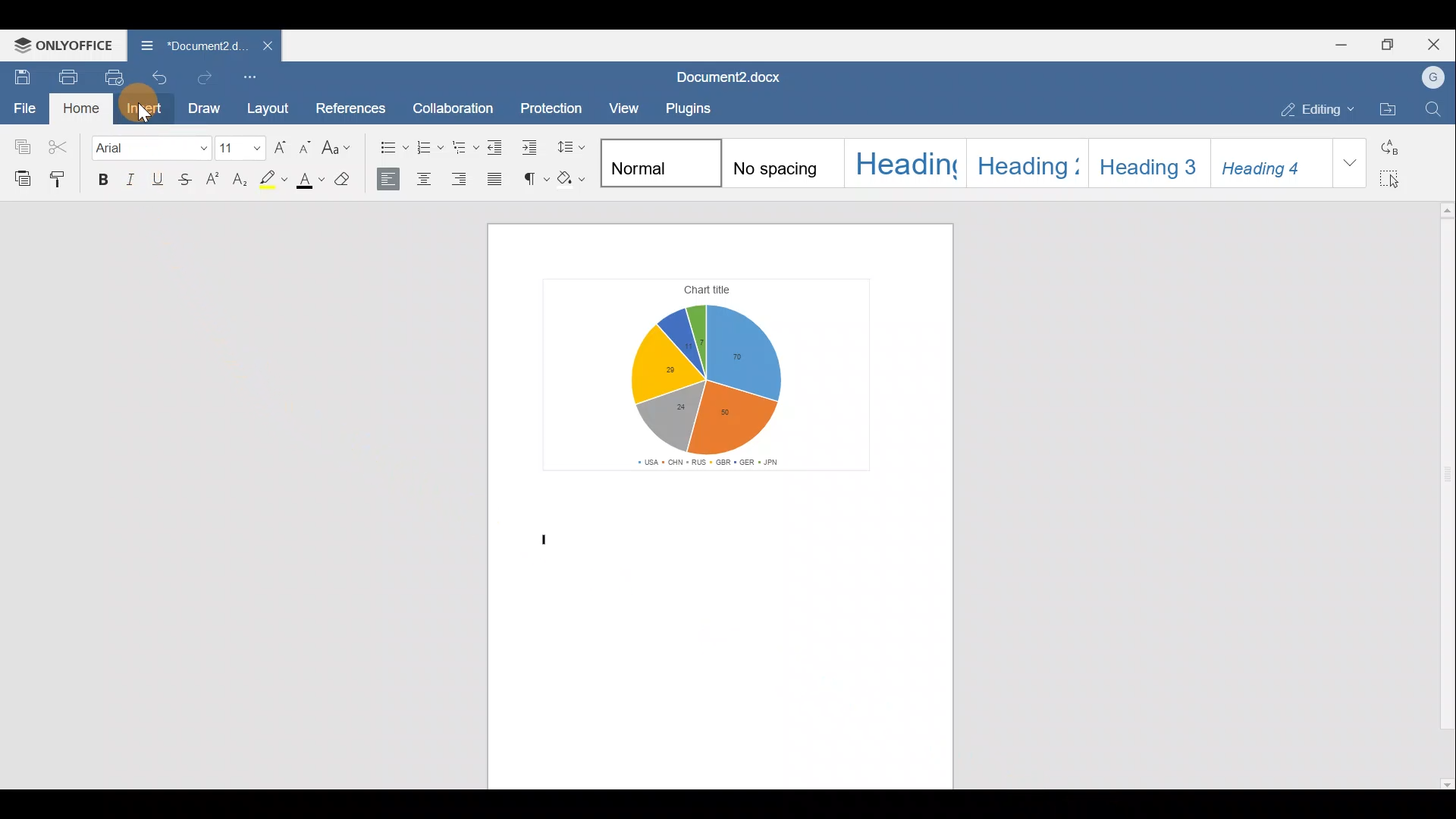  I want to click on Copy style, so click(62, 180).